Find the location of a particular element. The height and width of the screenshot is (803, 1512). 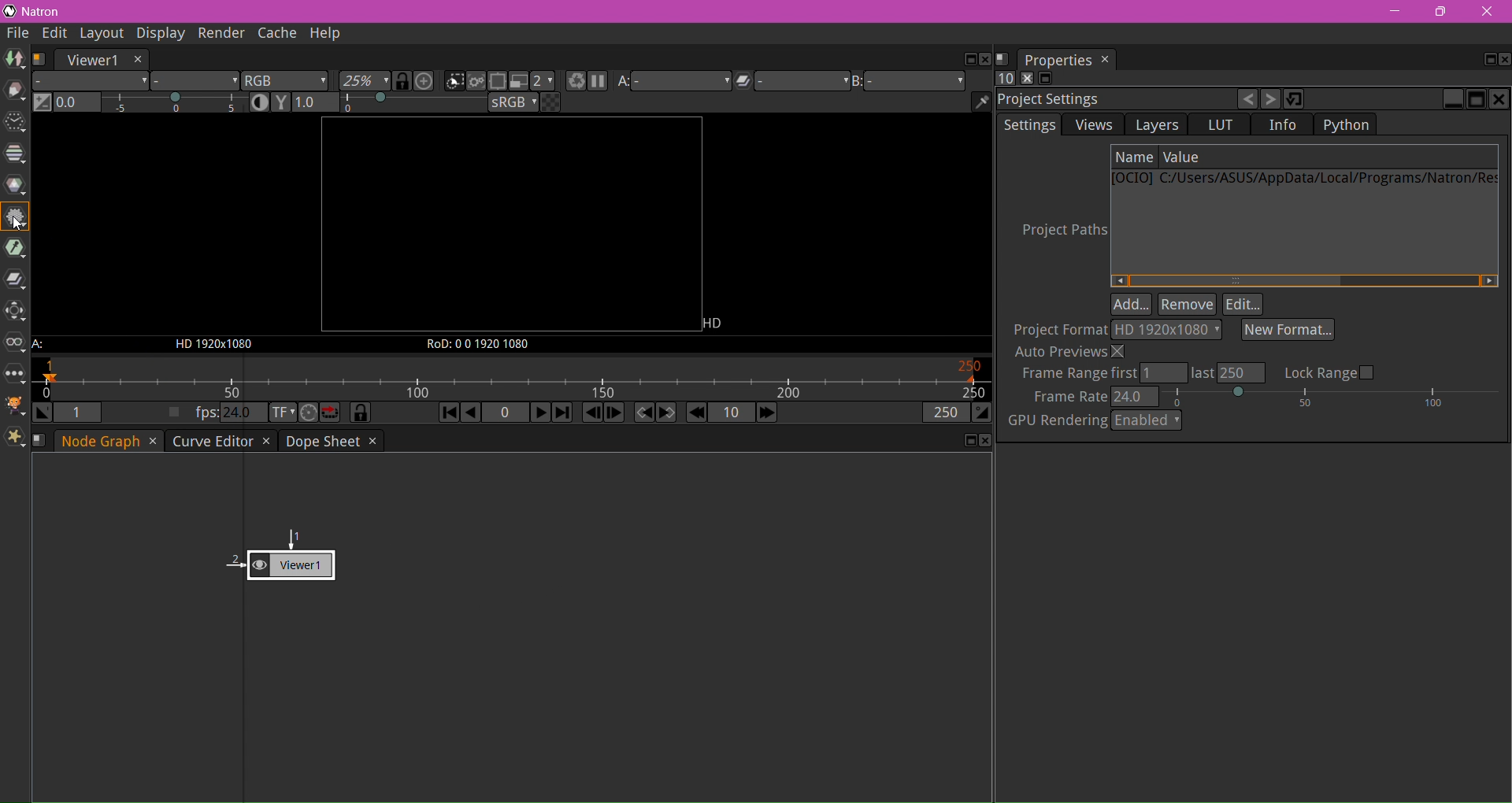

Zoom applied to the image on the viewer is located at coordinates (365, 82).